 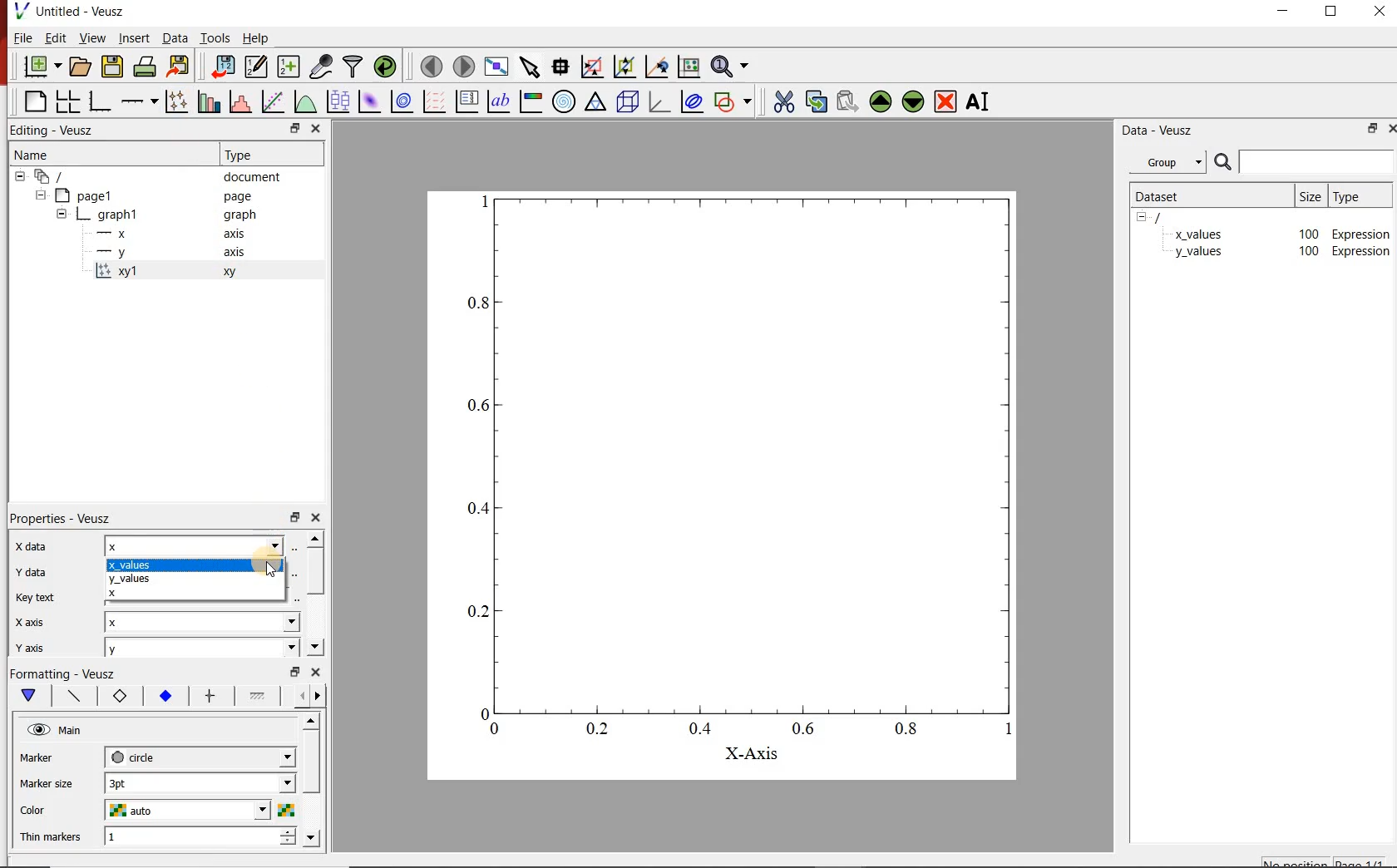 I want to click on marker fill, so click(x=165, y=695).